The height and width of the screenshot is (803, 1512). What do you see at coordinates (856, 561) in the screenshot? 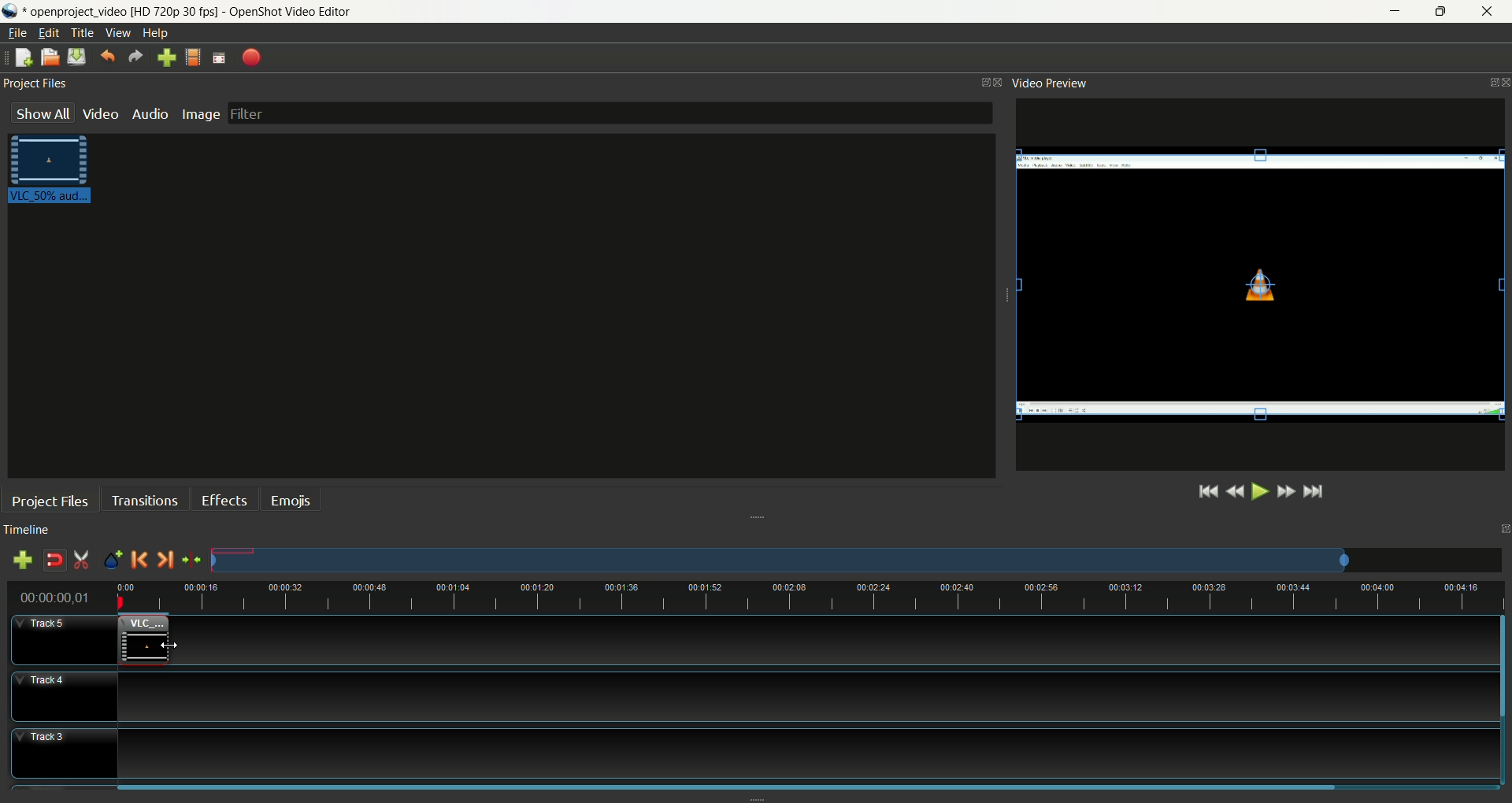
I see `zoom factor` at bounding box center [856, 561].